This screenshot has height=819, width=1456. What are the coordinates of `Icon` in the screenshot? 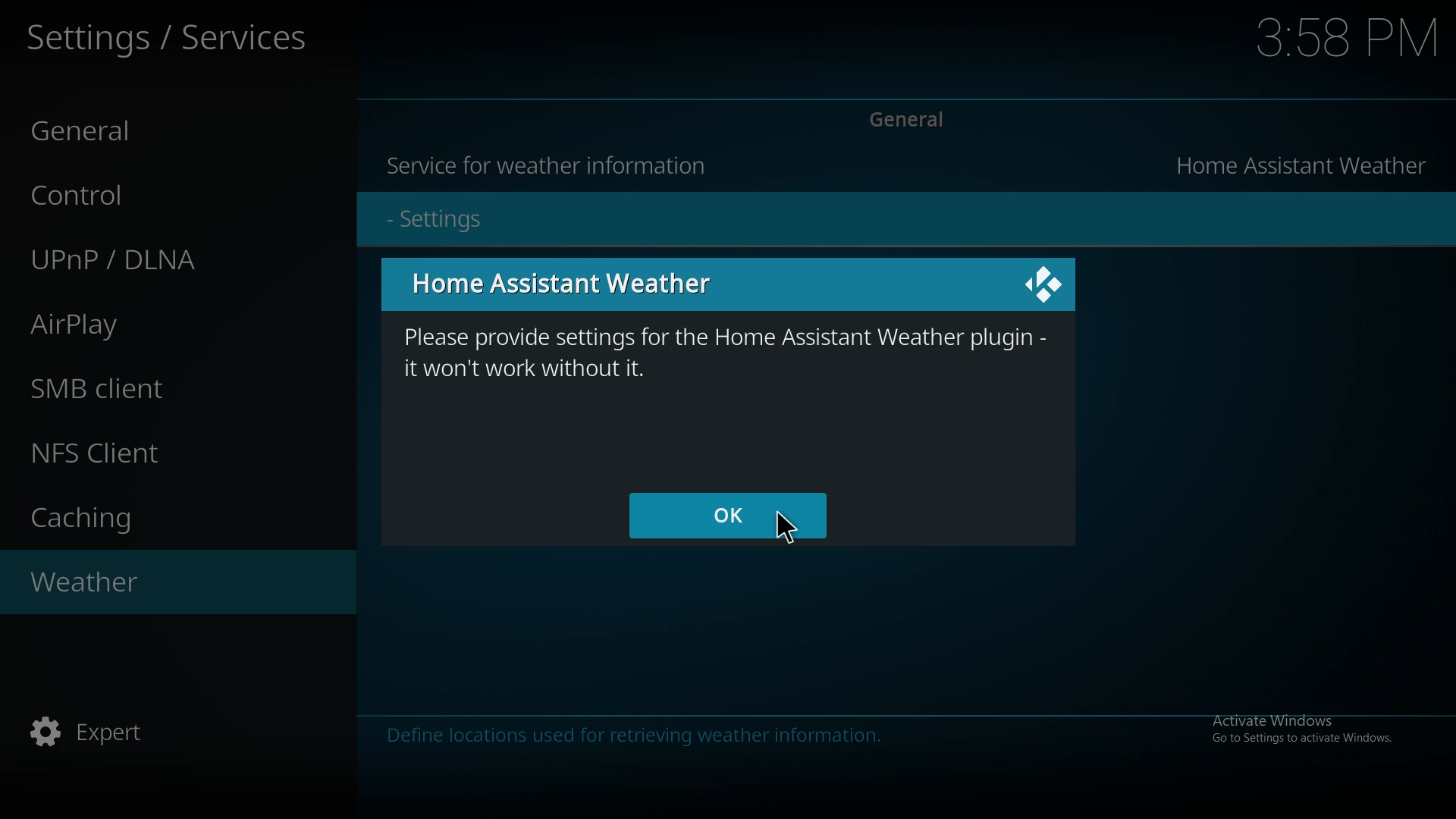 It's located at (1040, 285).